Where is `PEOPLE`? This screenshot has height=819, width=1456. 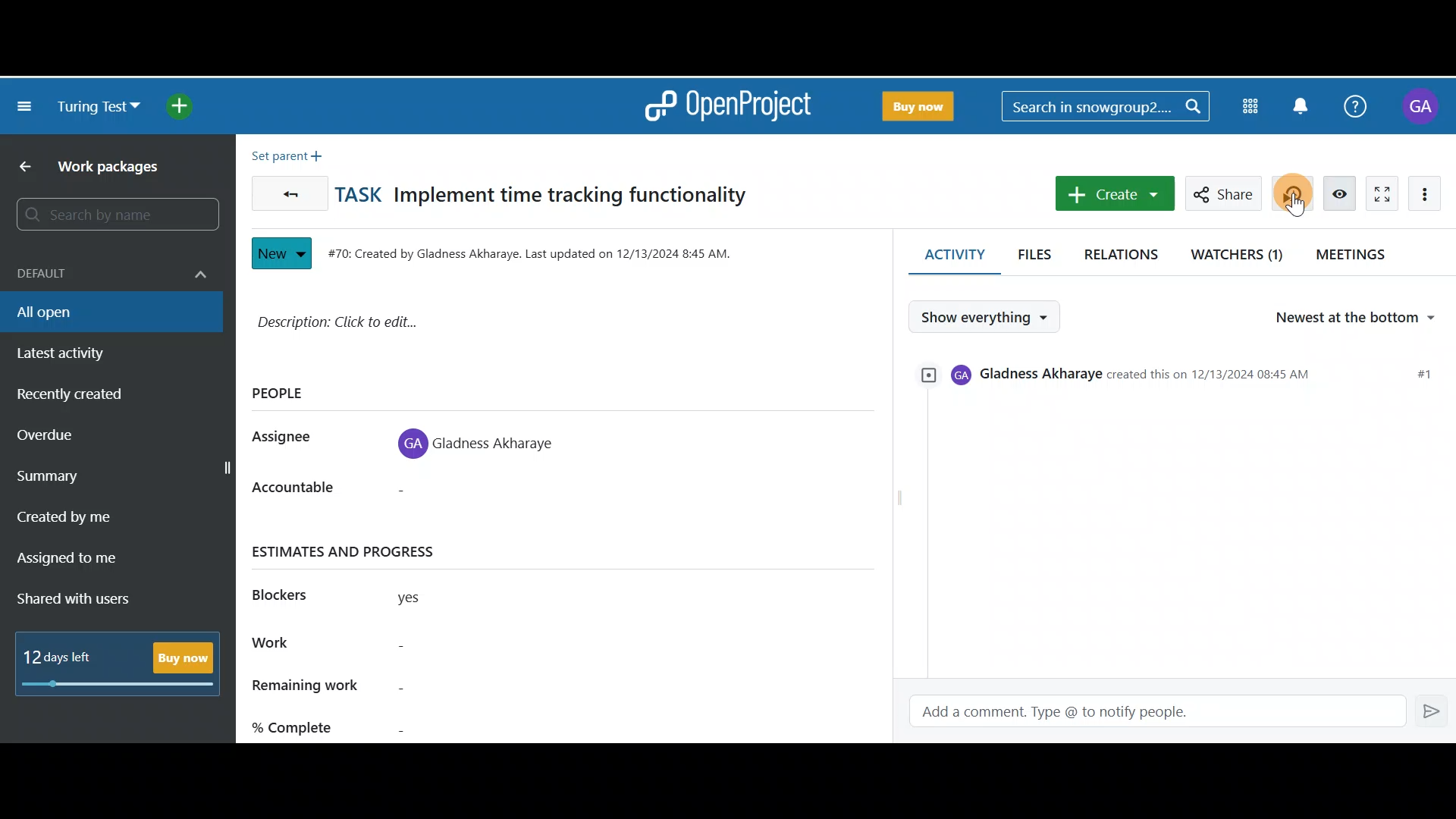 PEOPLE is located at coordinates (288, 394).